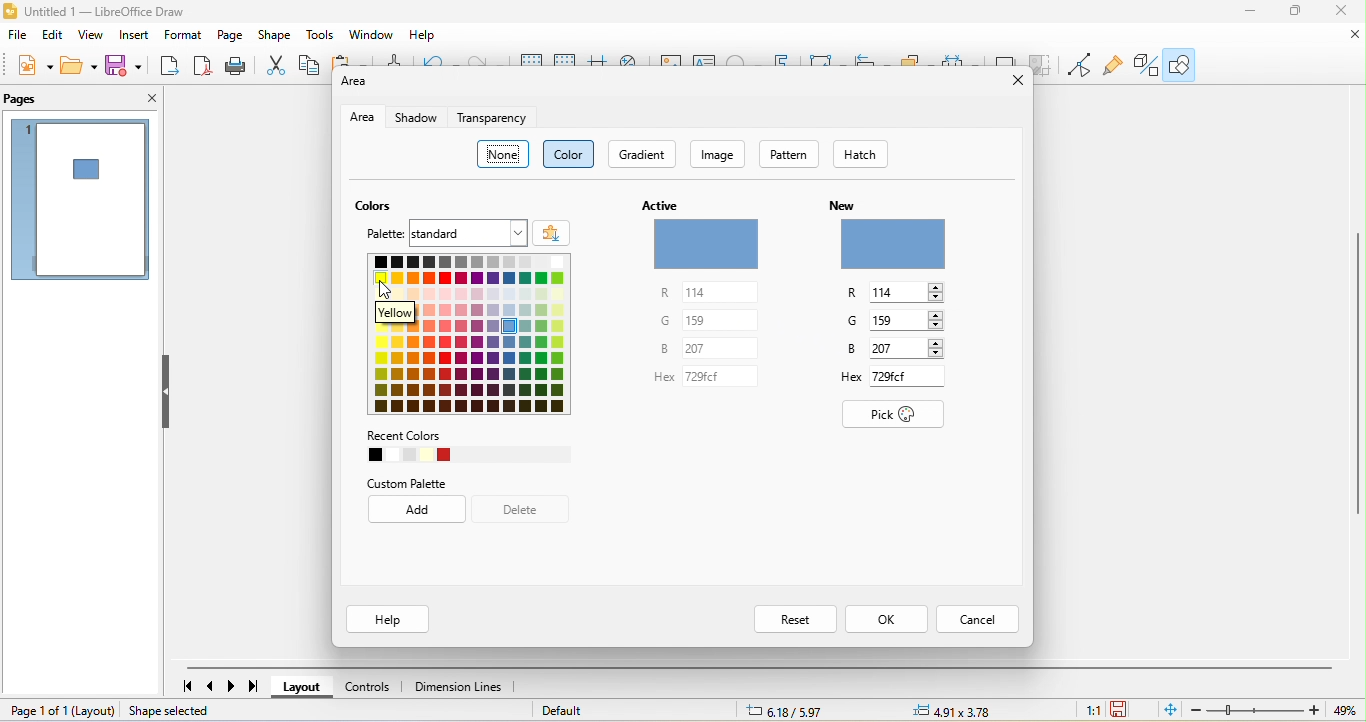 The image size is (1366, 722). I want to click on reset, so click(792, 620).